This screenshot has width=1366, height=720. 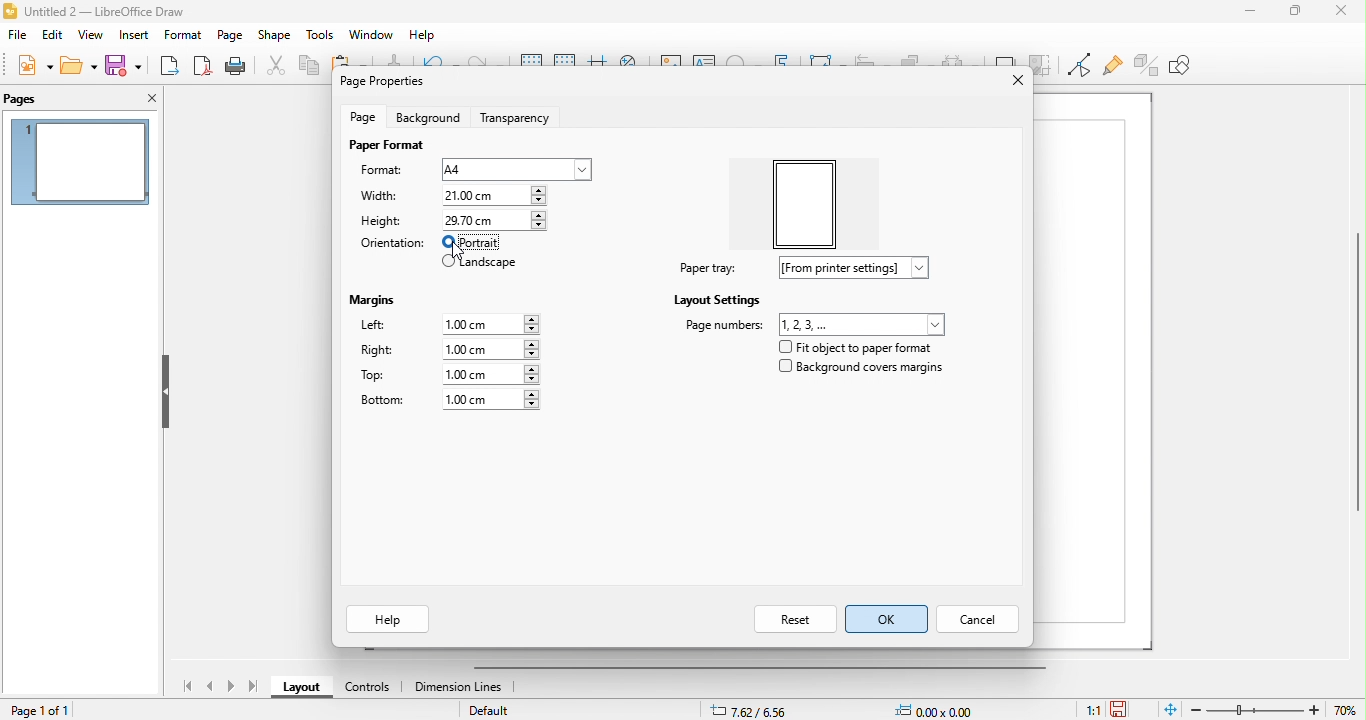 I want to click on top, so click(x=459, y=376).